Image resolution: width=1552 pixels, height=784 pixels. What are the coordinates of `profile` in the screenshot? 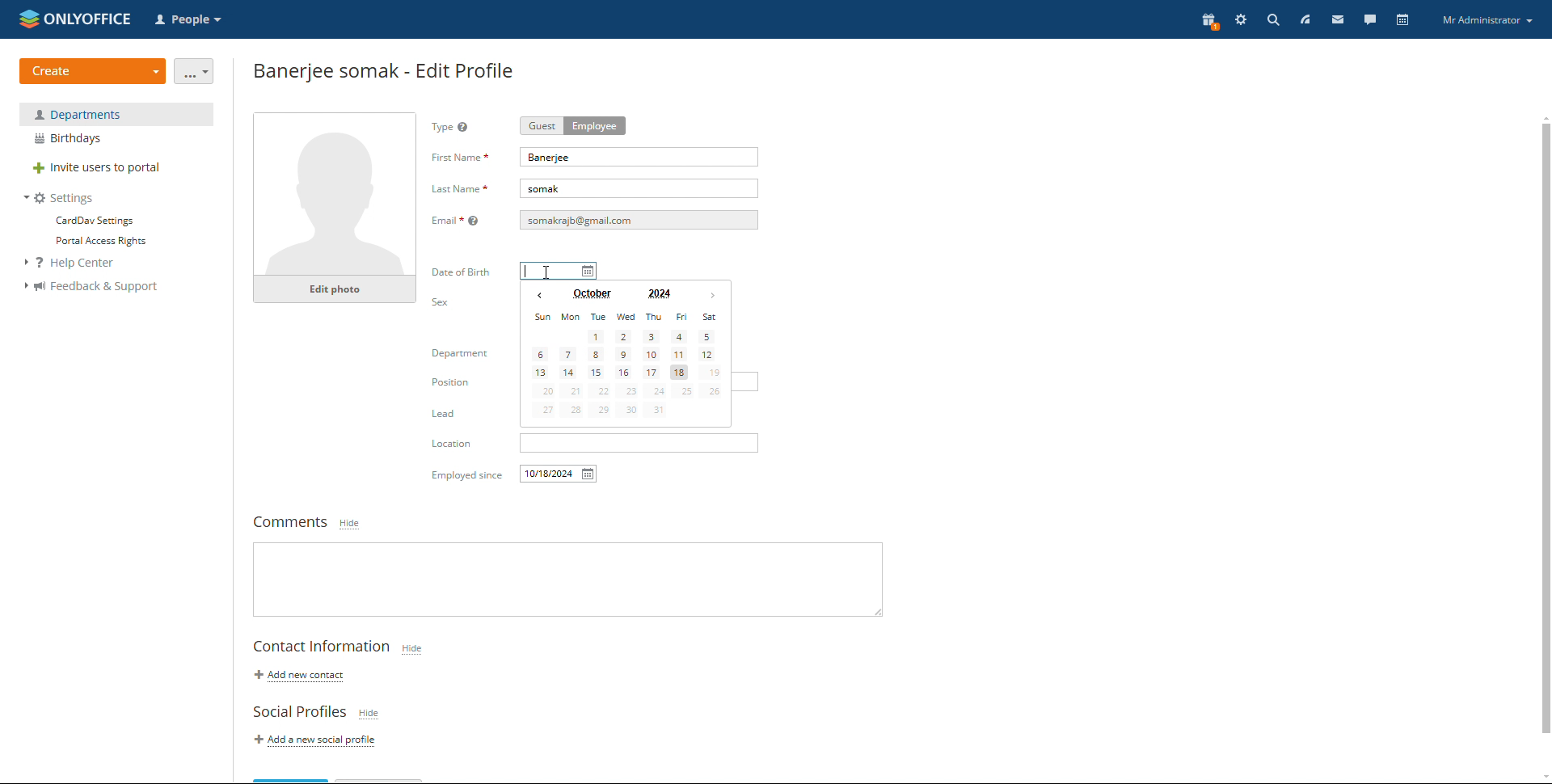 It's located at (1487, 21).